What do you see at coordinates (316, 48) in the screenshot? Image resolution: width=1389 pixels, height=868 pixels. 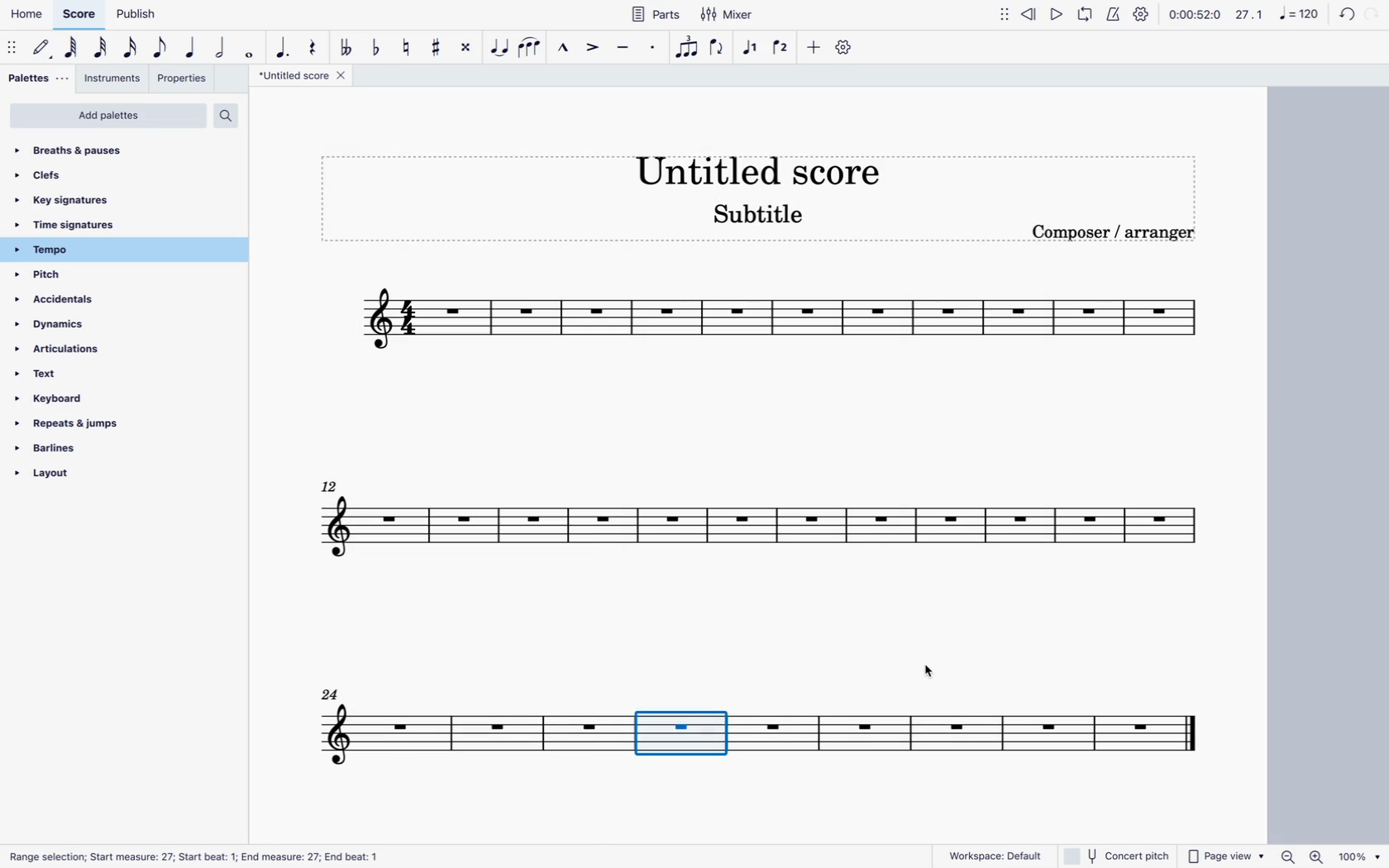 I see `rest` at bounding box center [316, 48].